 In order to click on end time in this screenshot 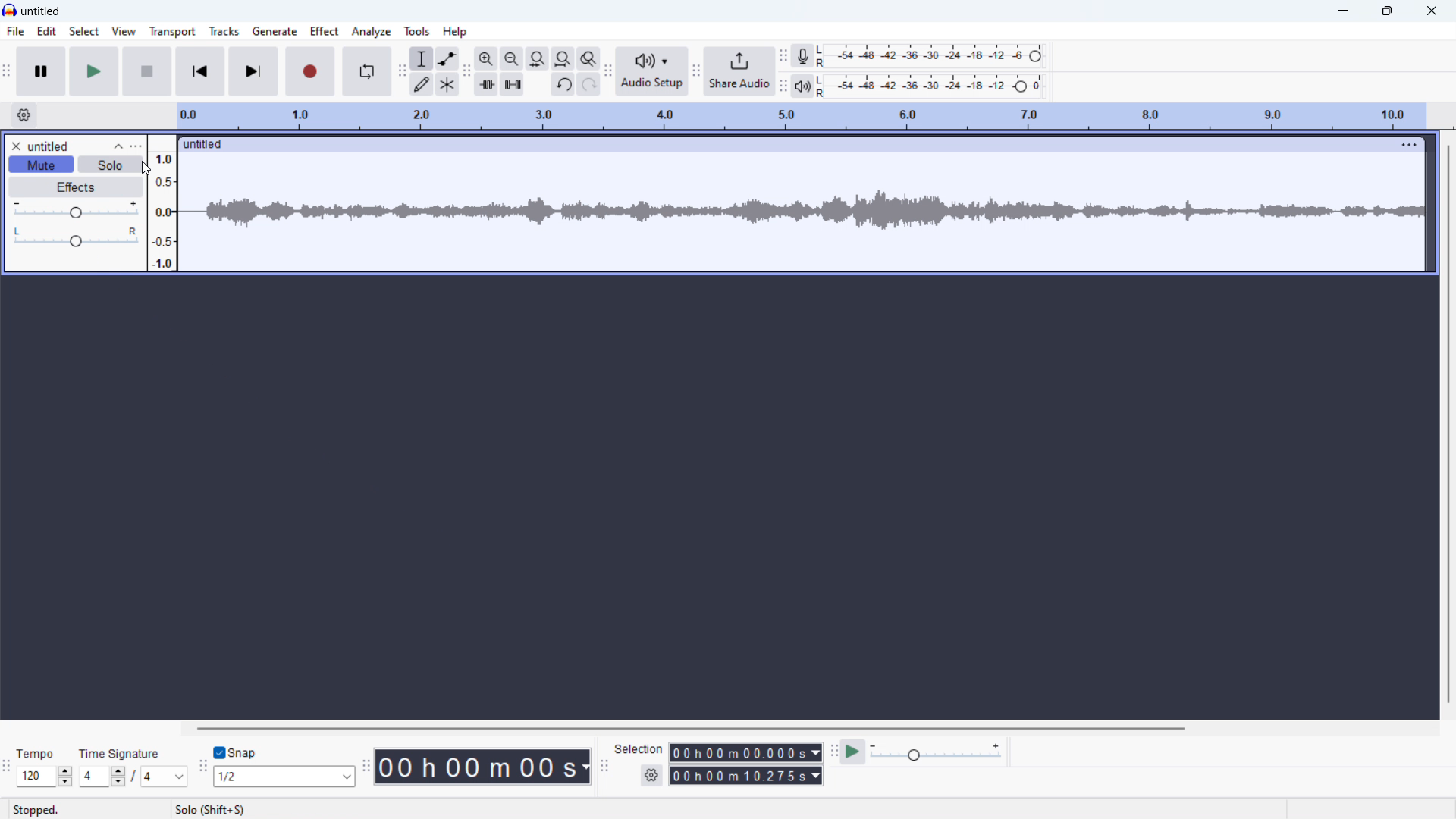, I will do `click(746, 775)`.